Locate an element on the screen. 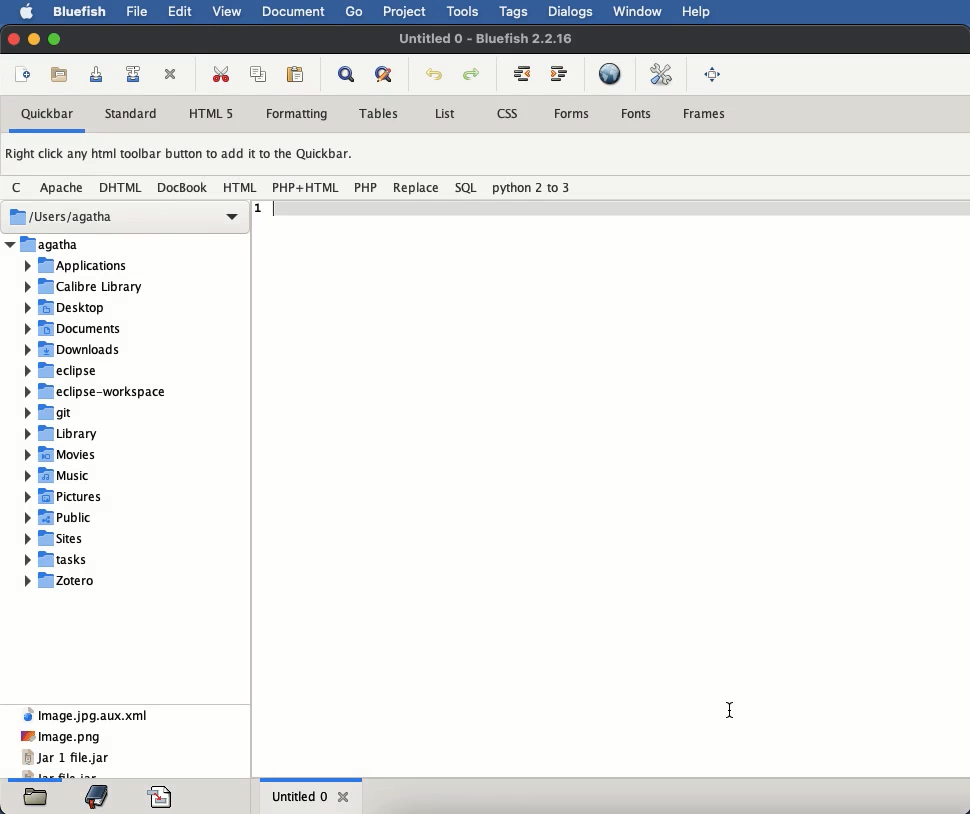  HTML is located at coordinates (242, 187).